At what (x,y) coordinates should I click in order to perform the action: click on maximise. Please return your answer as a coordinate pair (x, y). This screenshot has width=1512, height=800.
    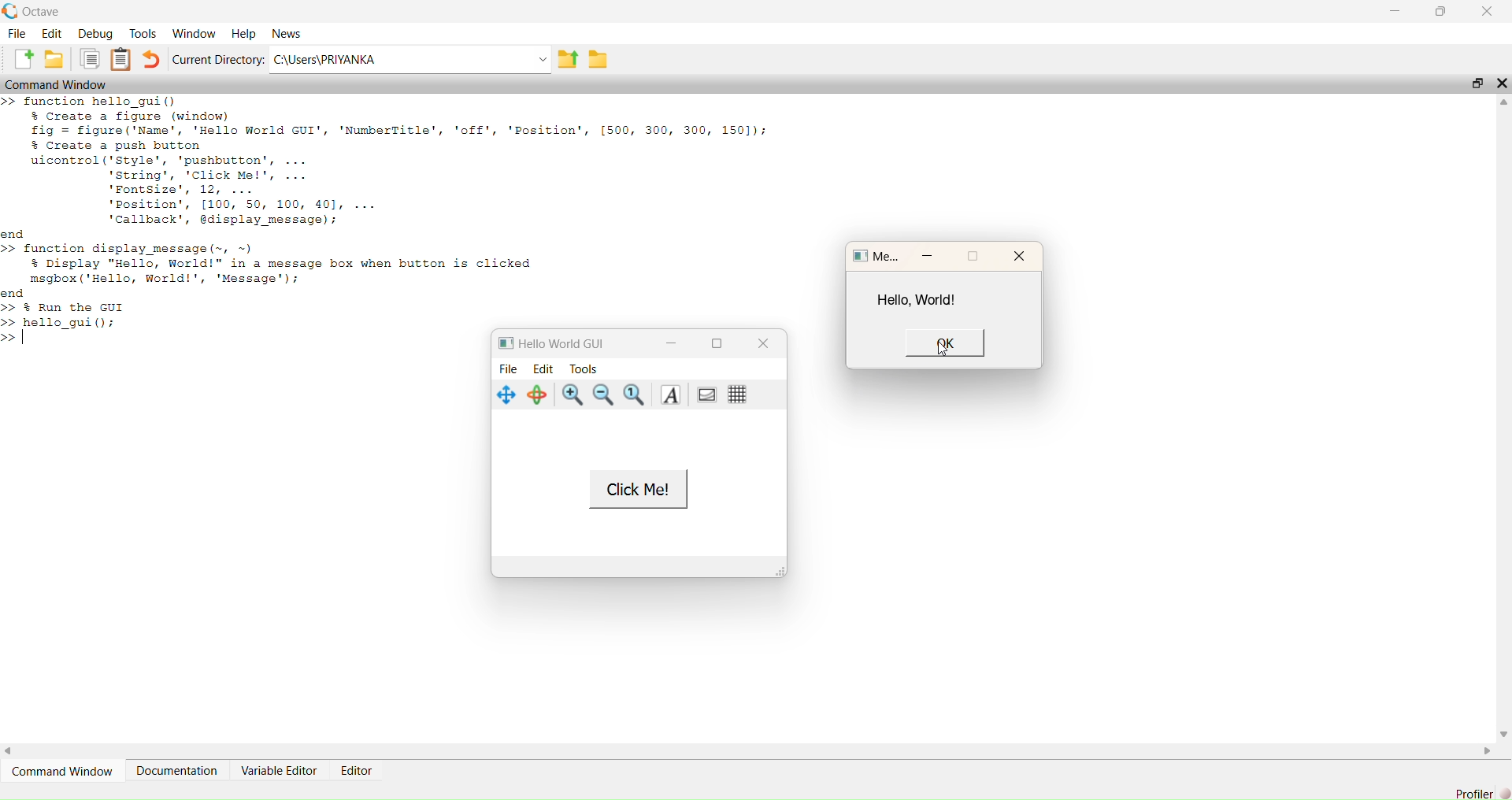
    Looking at the image, I should click on (1473, 80).